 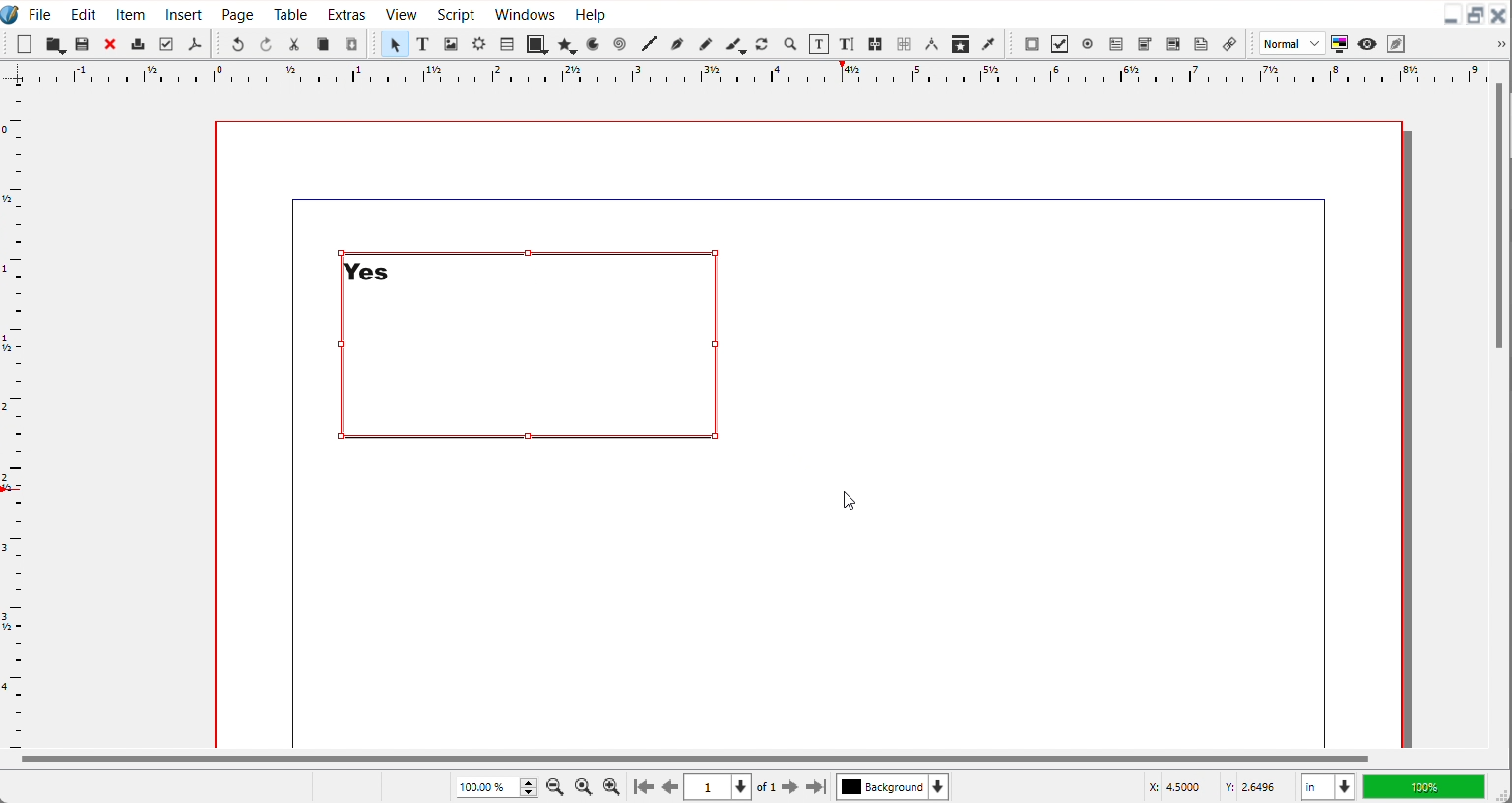 I want to click on Vertical scroll bar, so click(x=1499, y=217).